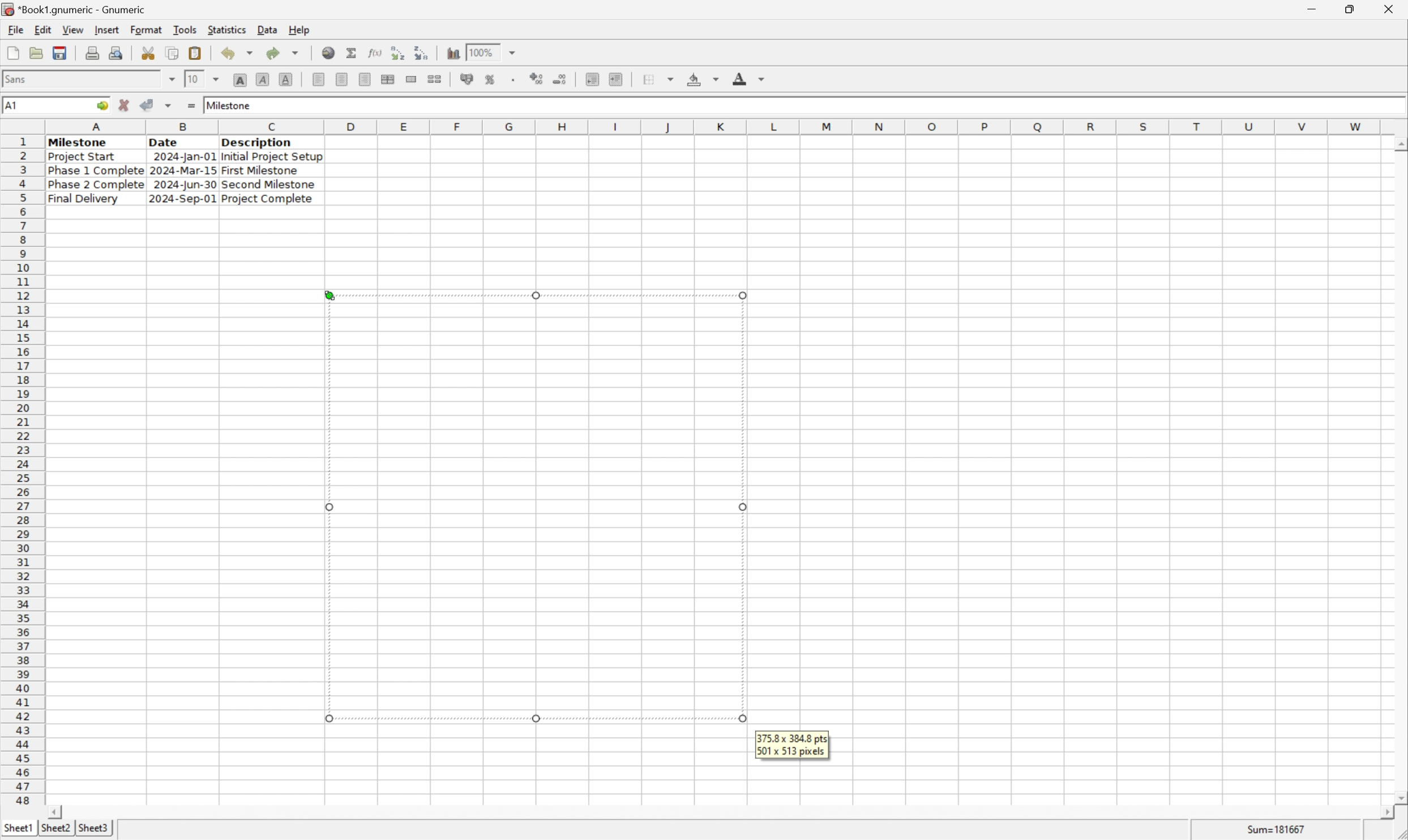  I want to click on insert chart, so click(452, 53).